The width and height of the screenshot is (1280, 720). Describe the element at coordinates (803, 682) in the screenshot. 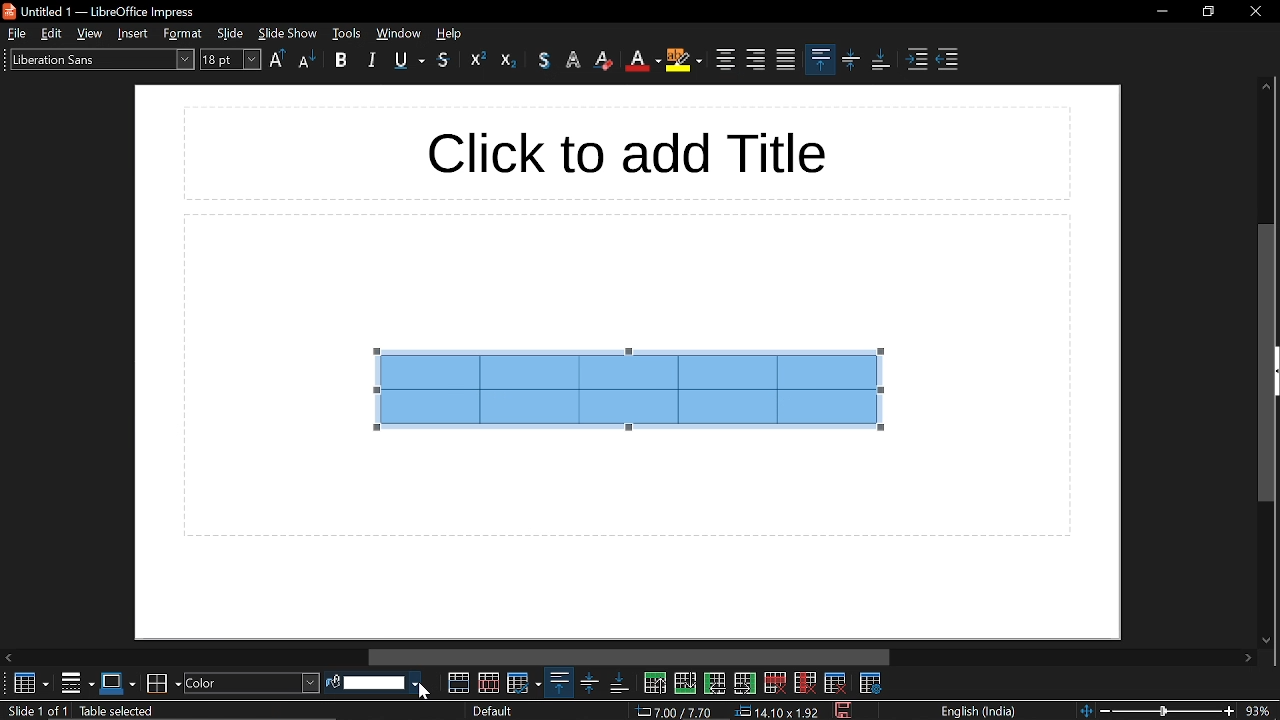

I see `delete column` at that location.